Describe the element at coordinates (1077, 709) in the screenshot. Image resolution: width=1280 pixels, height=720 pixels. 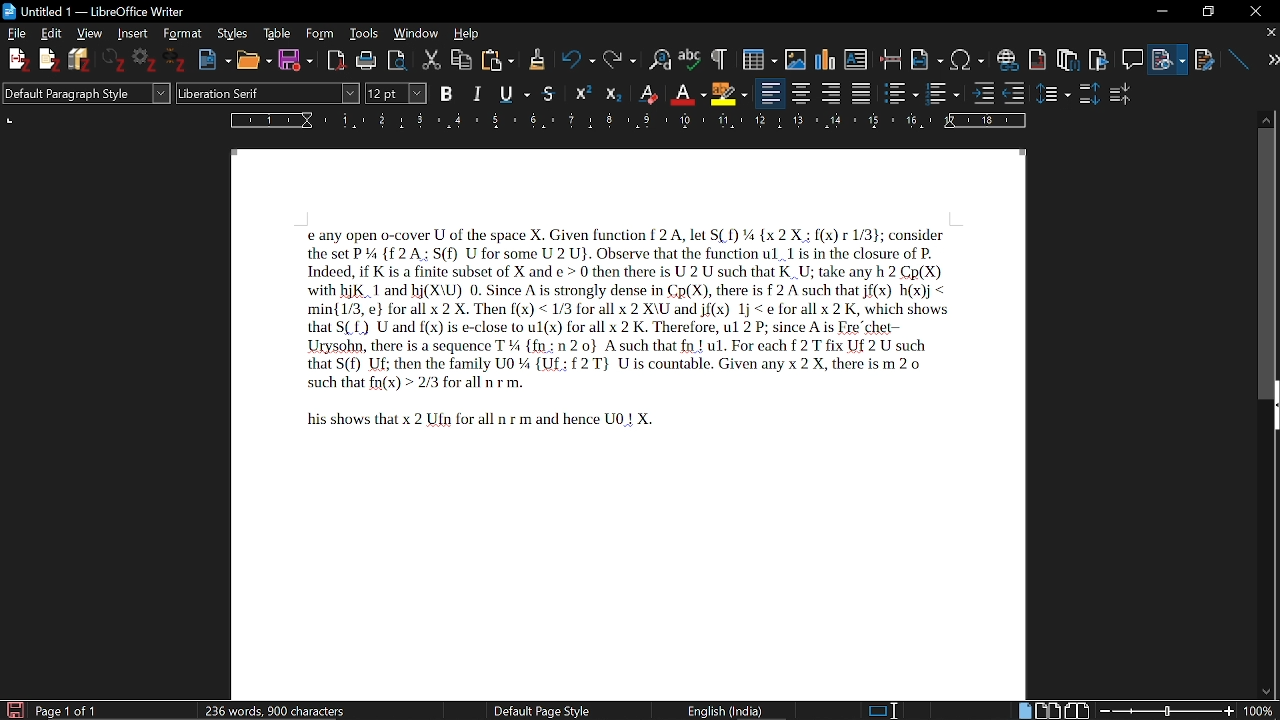
I see `Book view` at that location.